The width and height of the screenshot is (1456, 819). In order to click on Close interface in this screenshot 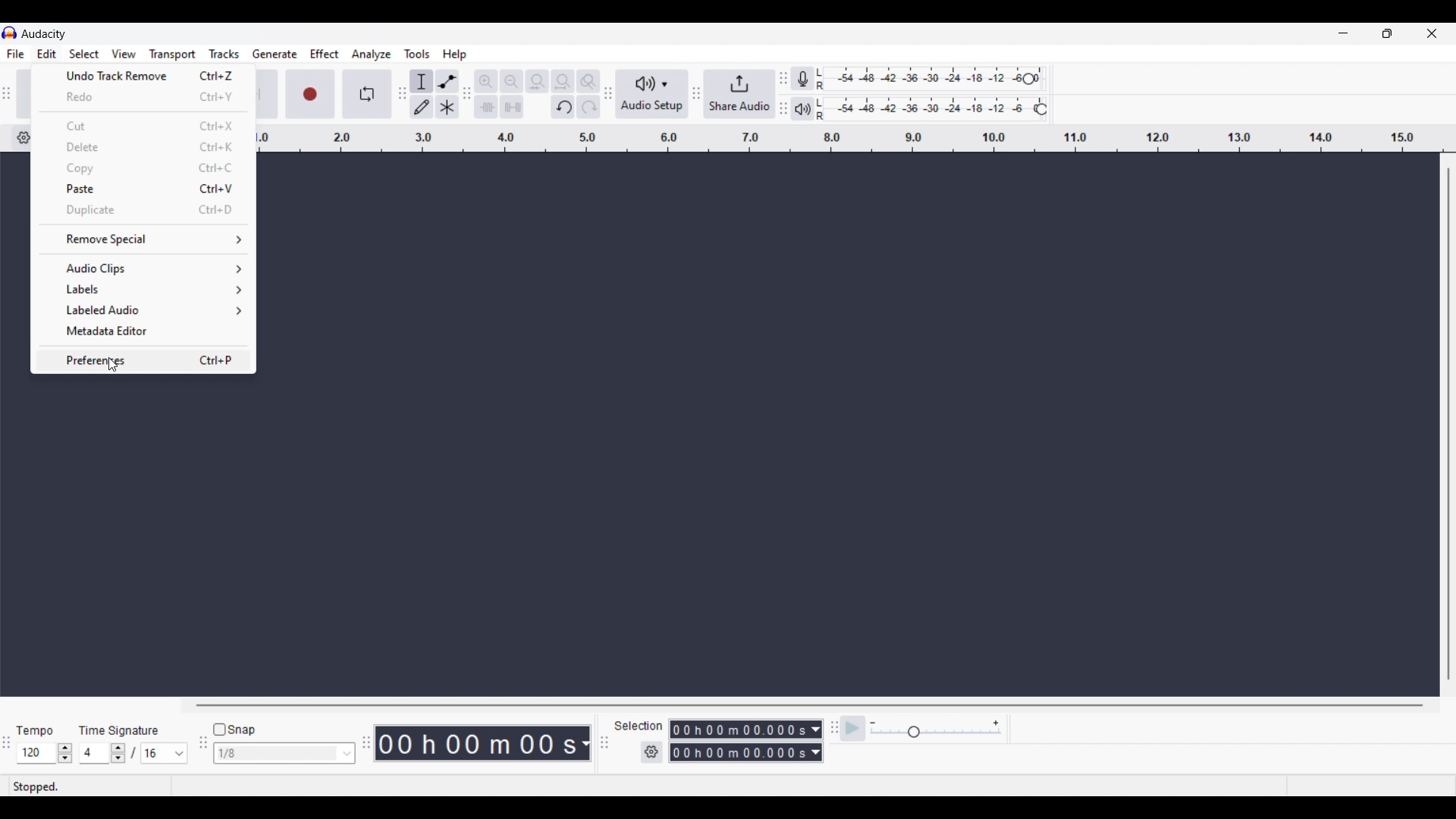, I will do `click(1432, 33)`.